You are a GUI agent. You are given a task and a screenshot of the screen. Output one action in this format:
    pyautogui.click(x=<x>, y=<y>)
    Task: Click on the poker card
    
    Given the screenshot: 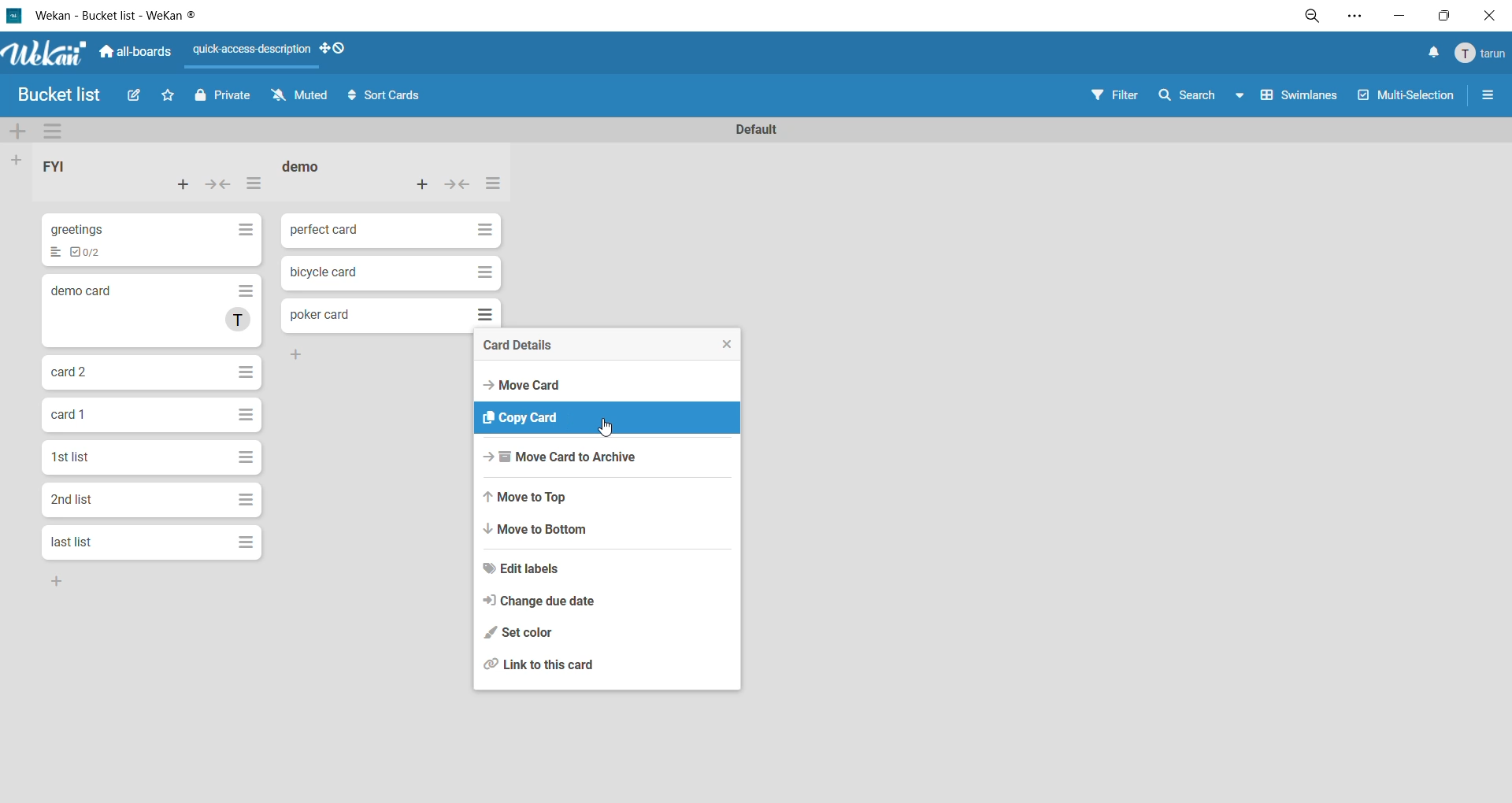 What is the action you would take?
    pyautogui.click(x=317, y=315)
    